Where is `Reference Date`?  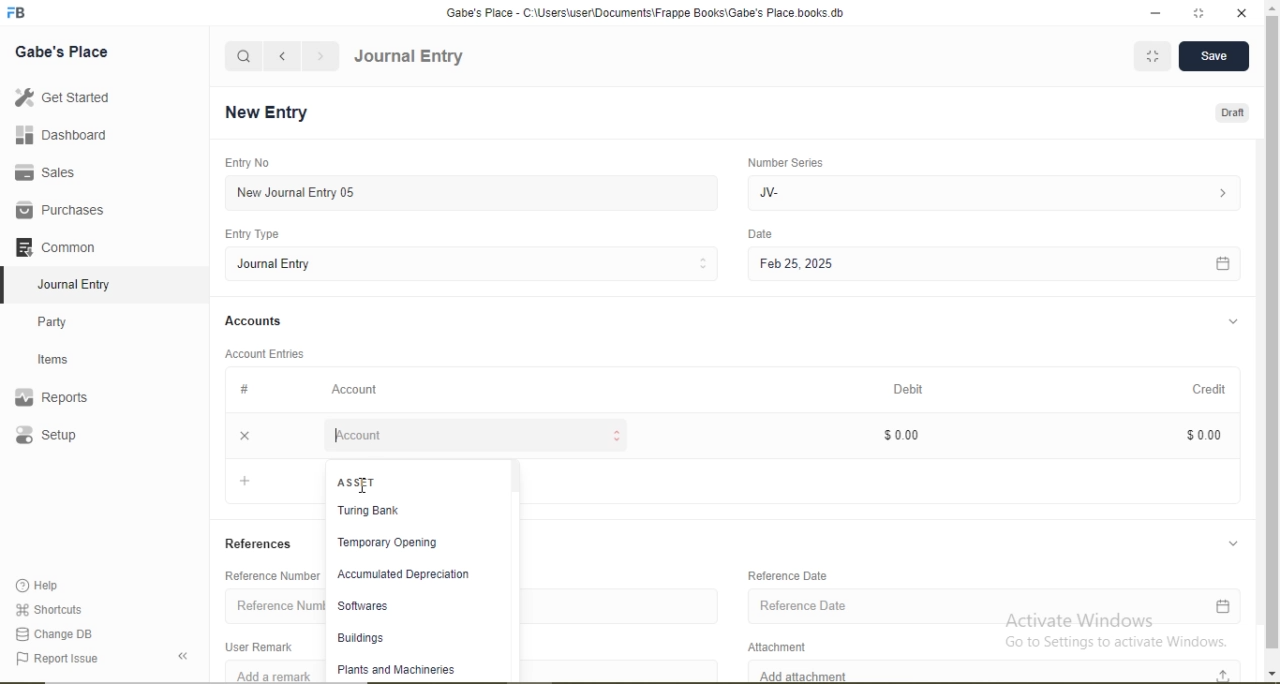
Reference Date is located at coordinates (798, 575).